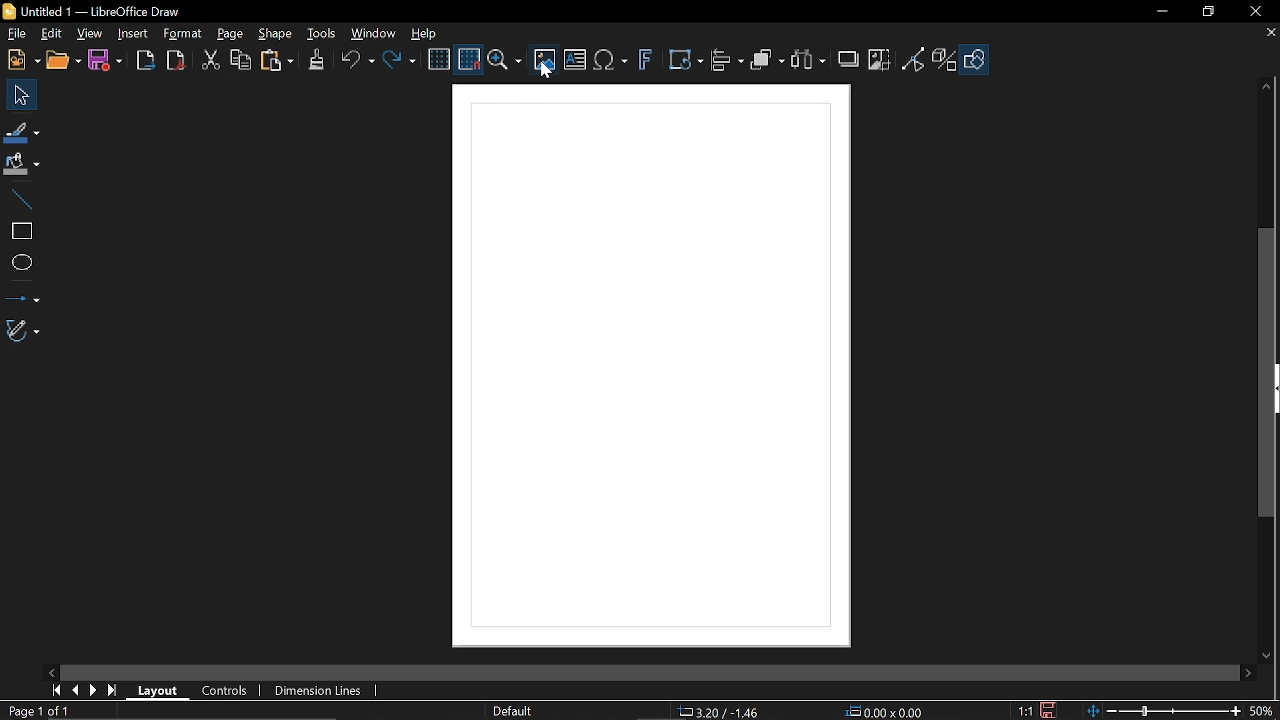 This screenshot has width=1280, height=720. Describe the element at coordinates (1264, 34) in the screenshot. I see `Close tab` at that location.